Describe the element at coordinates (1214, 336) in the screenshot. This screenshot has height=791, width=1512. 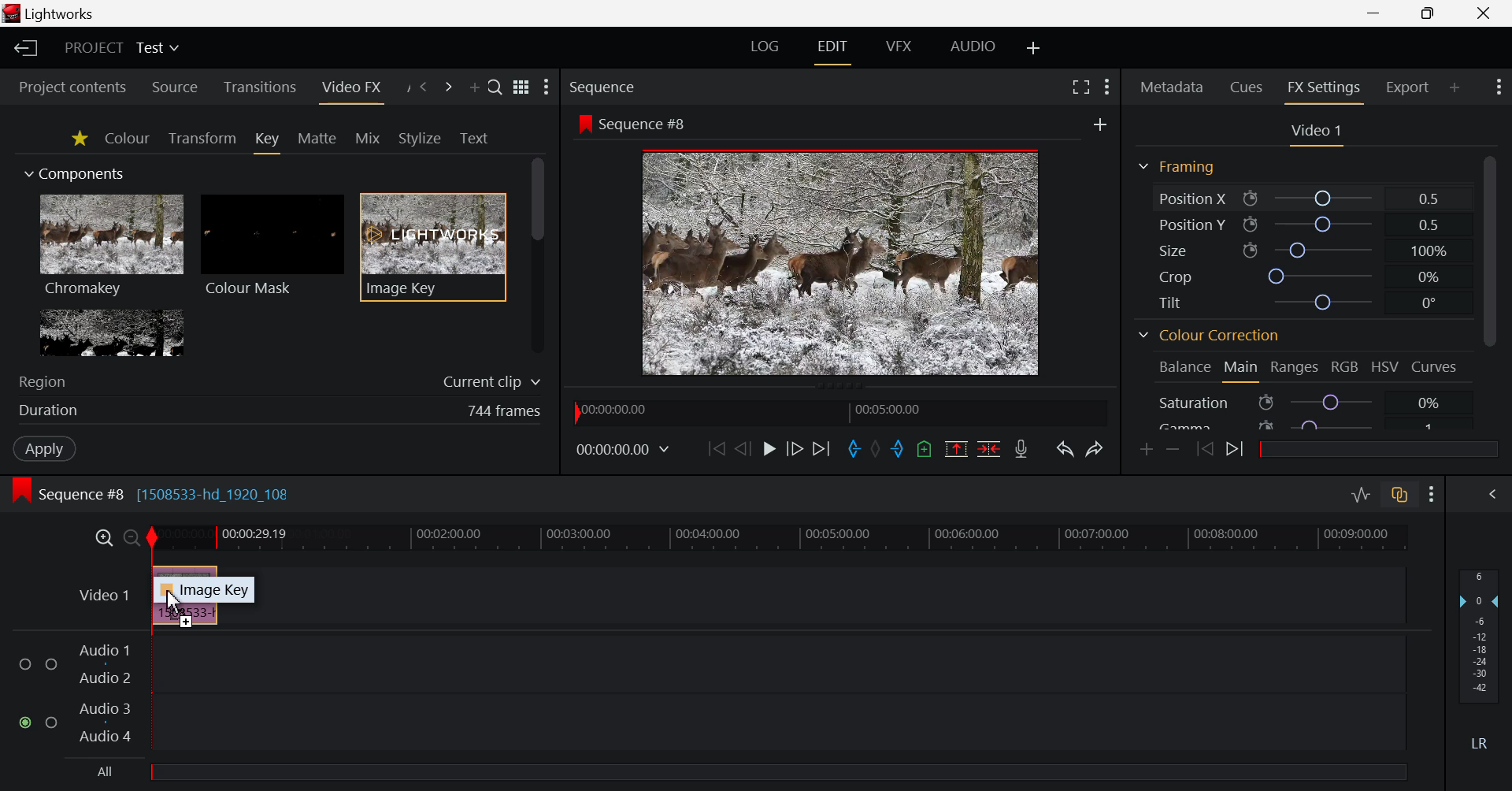
I see `Colour Correction` at that location.